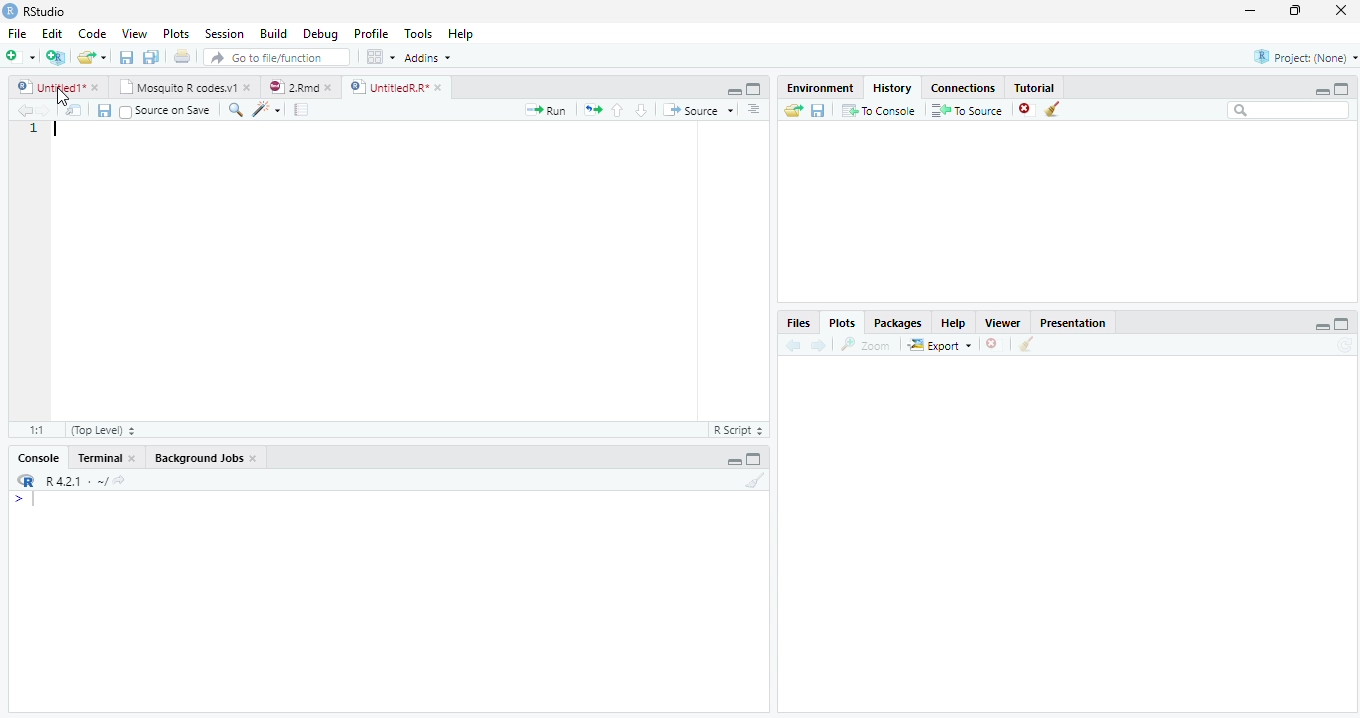 The width and height of the screenshot is (1360, 718). What do you see at coordinates (867, 347) in the screenshot?
I see `Zoom` at bounding box center [867, 347].